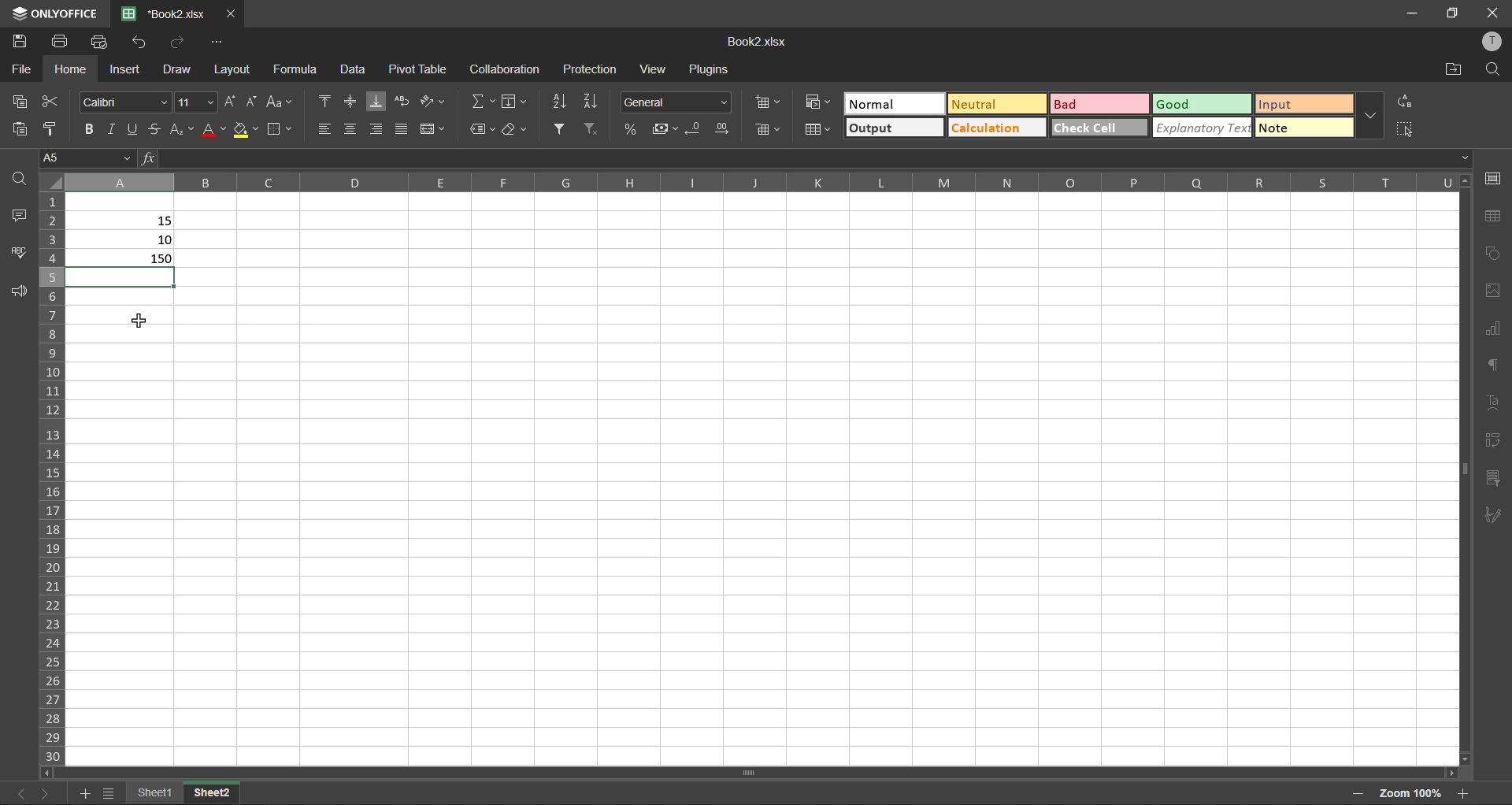 The image size is (1512, 805). Describe the element at coordinates (750, 773) in the screenshot. I see `scrollbar` at that location.